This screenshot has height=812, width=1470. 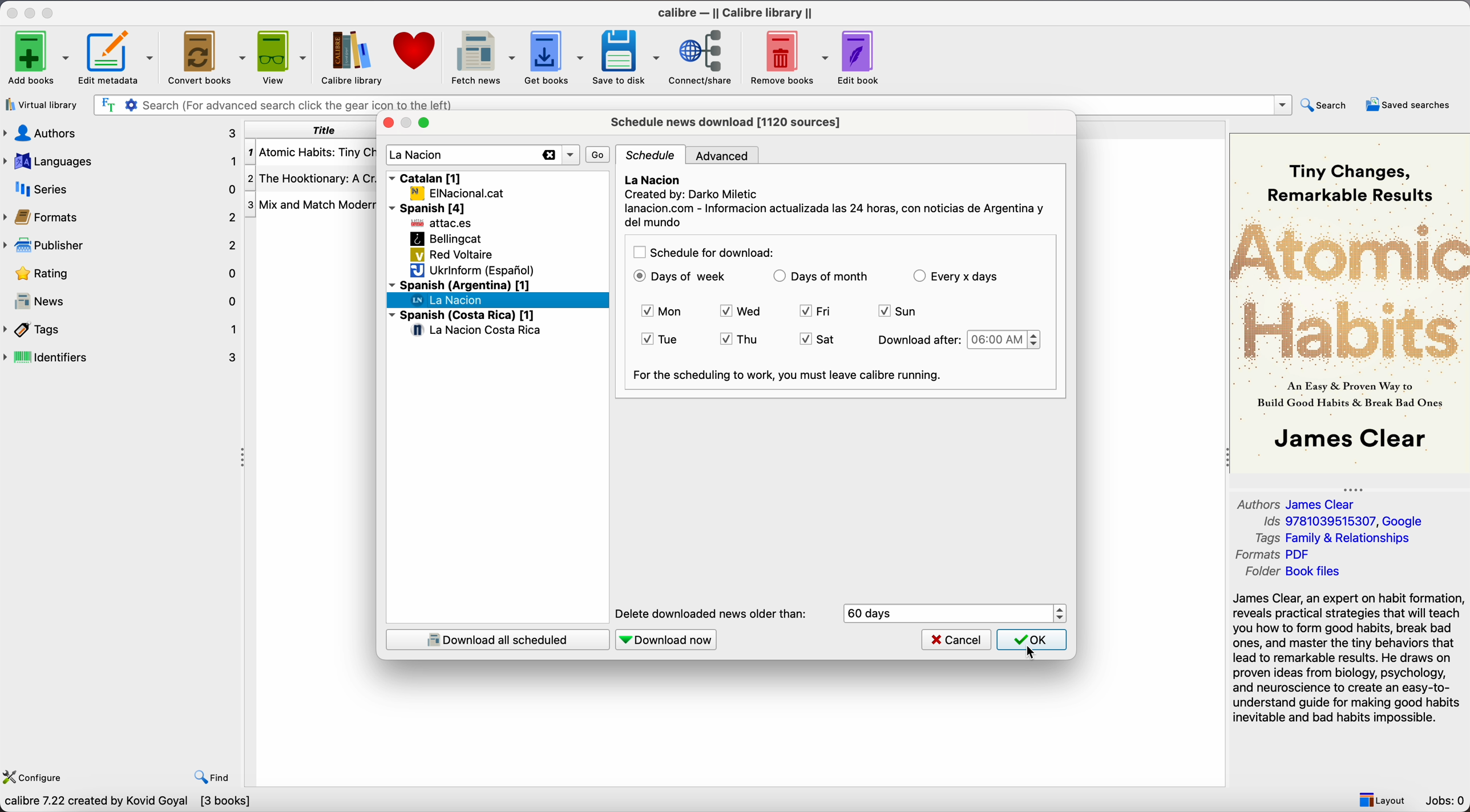 What do you see at coordinates (738, 12) in the screenshot?
I see `Calibre - || Calibre library ||` at bounding box center [738, 12].